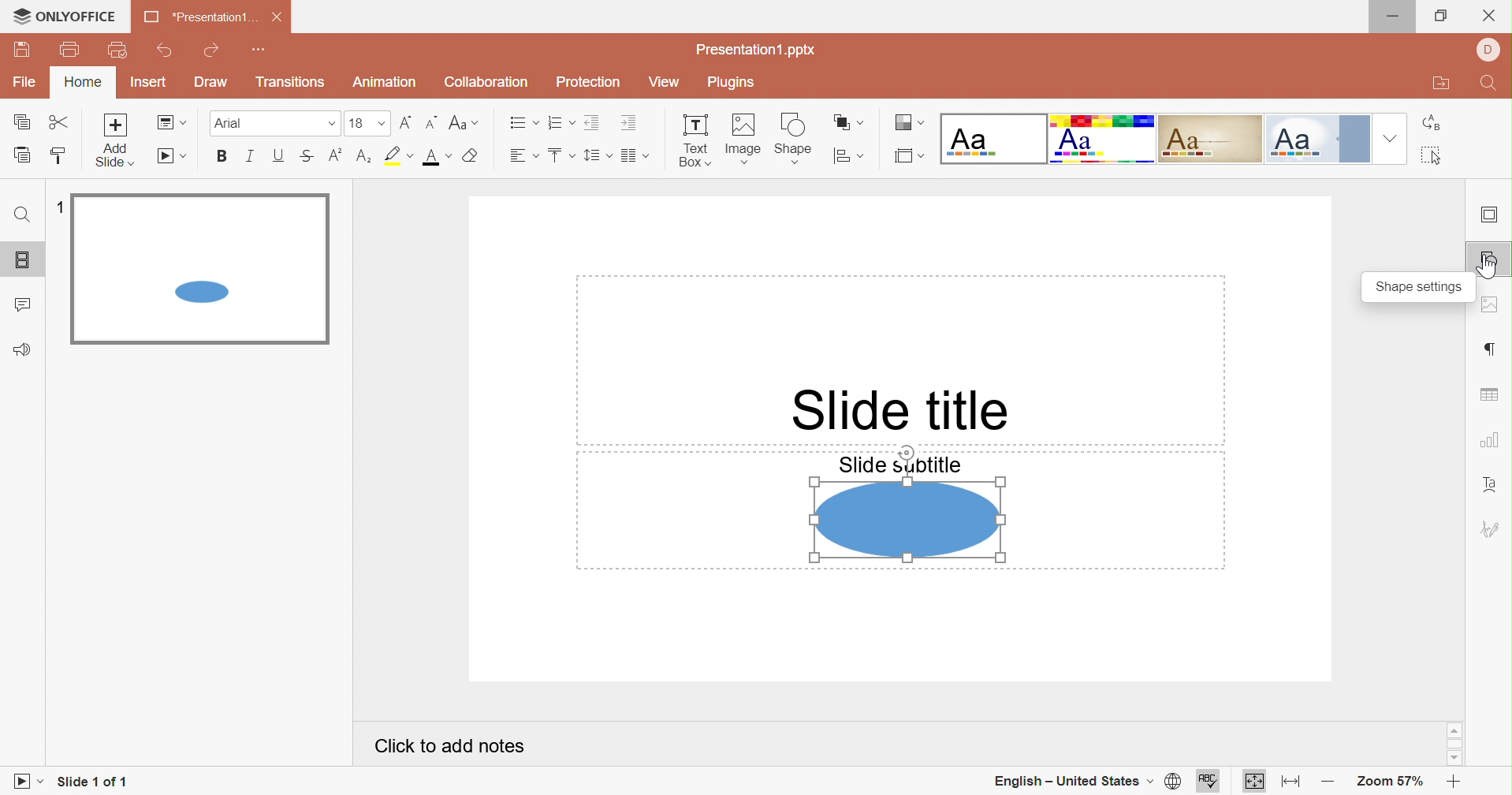  I want to click on Save, so click(23, 51).